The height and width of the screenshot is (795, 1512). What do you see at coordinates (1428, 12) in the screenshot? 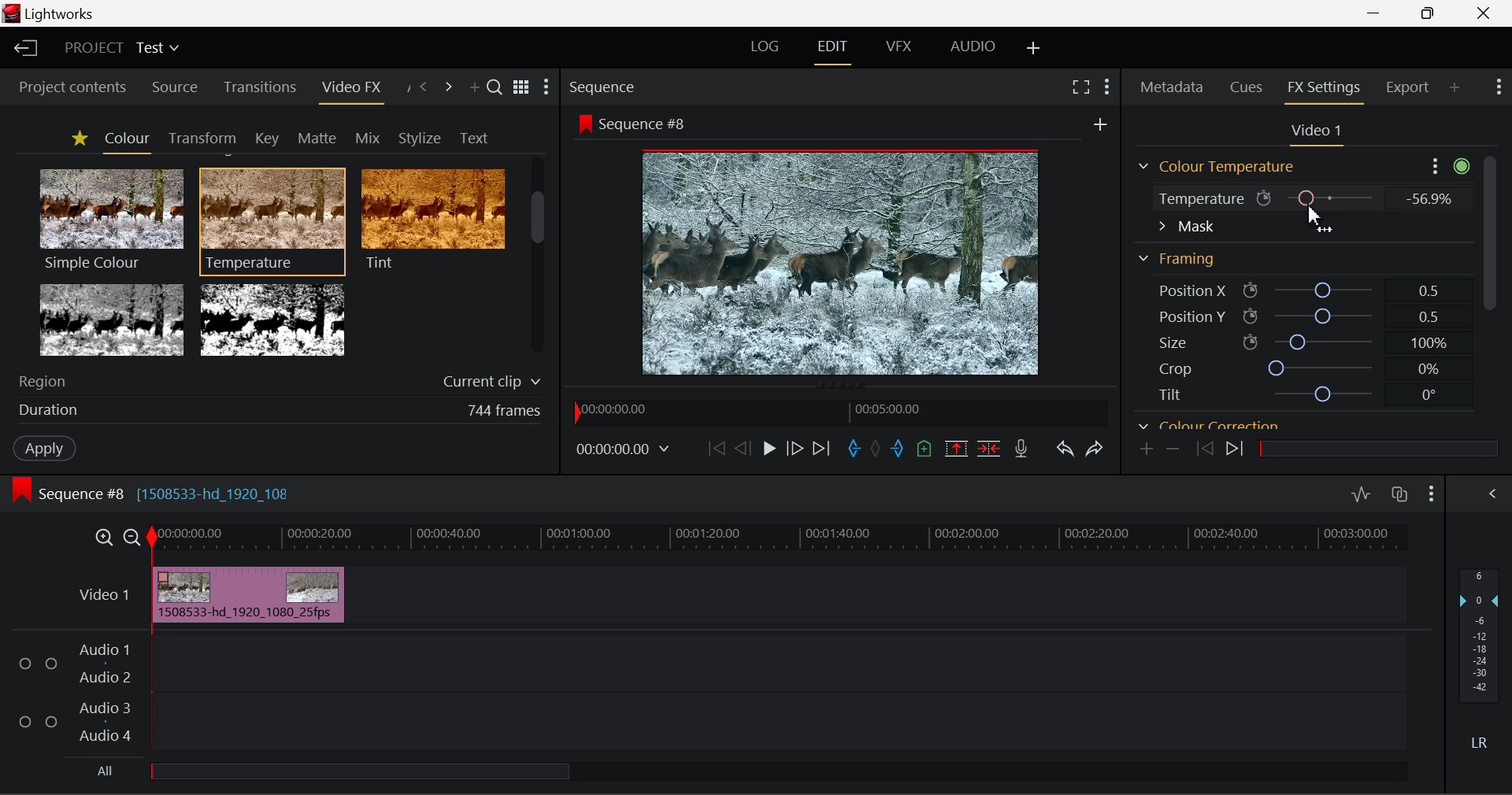
I see `Minimize` at bounding box center [1428, 12].